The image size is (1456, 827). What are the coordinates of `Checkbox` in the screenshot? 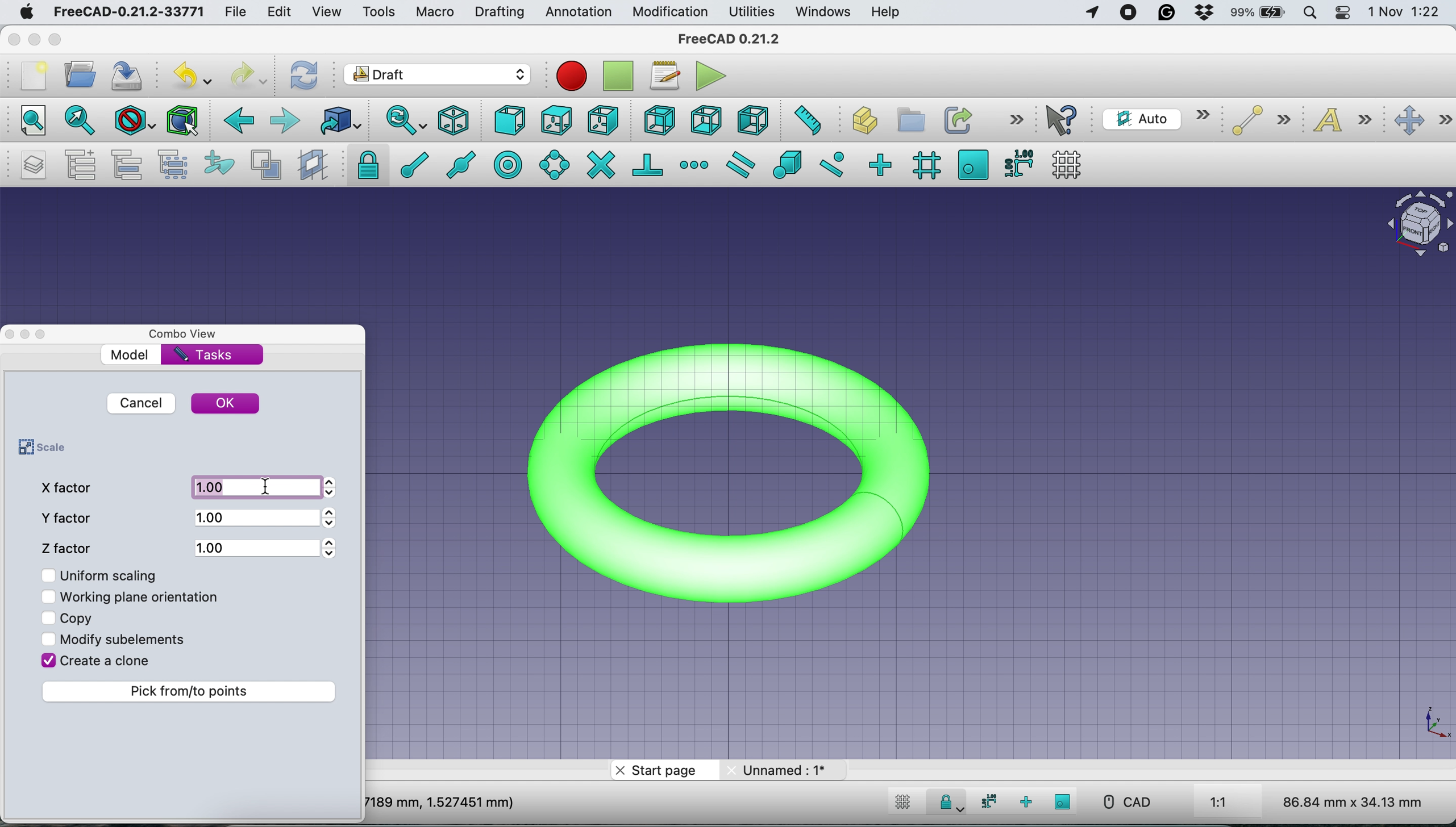 It's located at (48, 640).